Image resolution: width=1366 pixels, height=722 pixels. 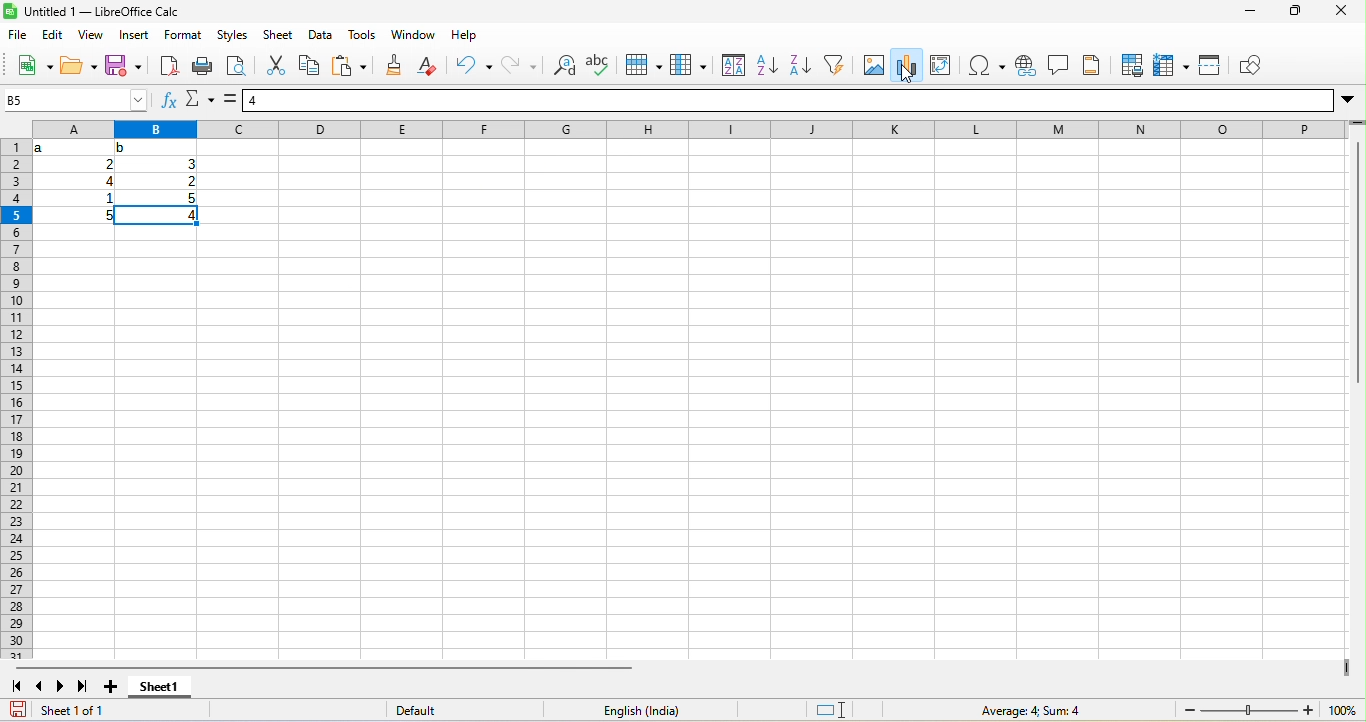 I want to click on text box, so click(x=1058, y=65).